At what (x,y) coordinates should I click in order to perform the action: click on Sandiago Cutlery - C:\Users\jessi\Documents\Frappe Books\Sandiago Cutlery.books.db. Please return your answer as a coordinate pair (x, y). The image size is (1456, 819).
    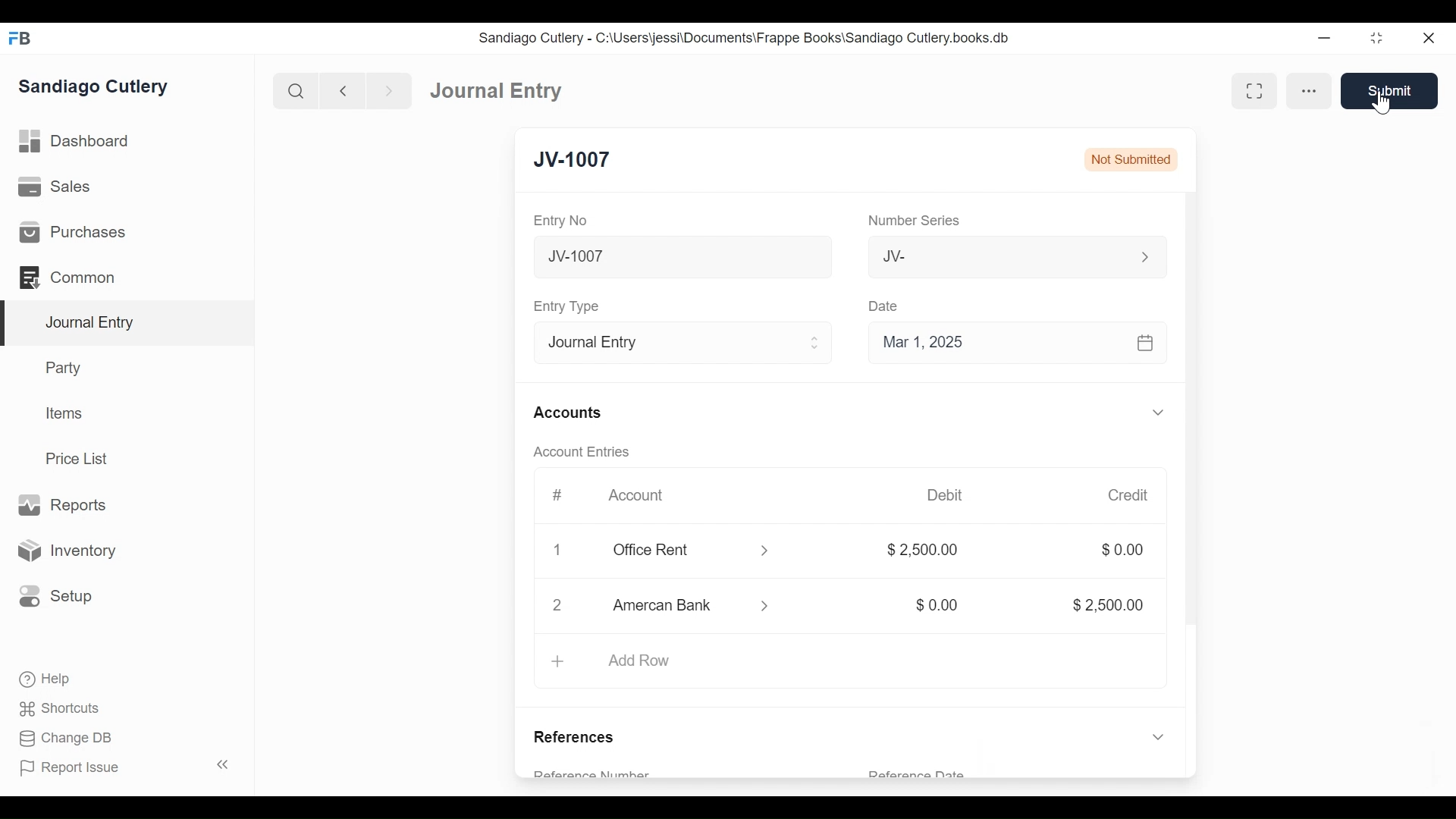
    Looking at the image, I should click on (748, 37).